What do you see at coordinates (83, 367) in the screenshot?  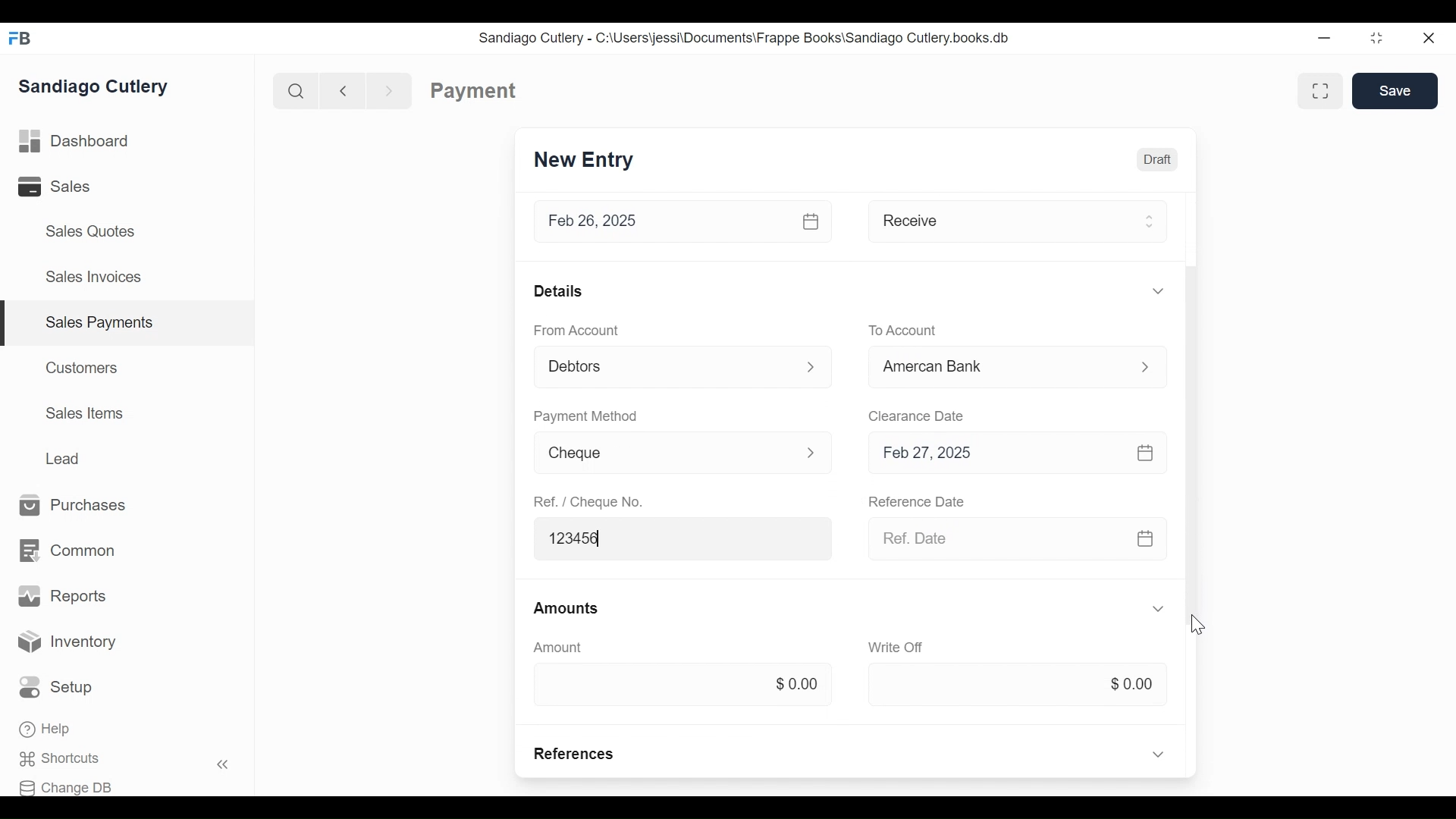 I see `Customers` at bounding box center [83, 367].